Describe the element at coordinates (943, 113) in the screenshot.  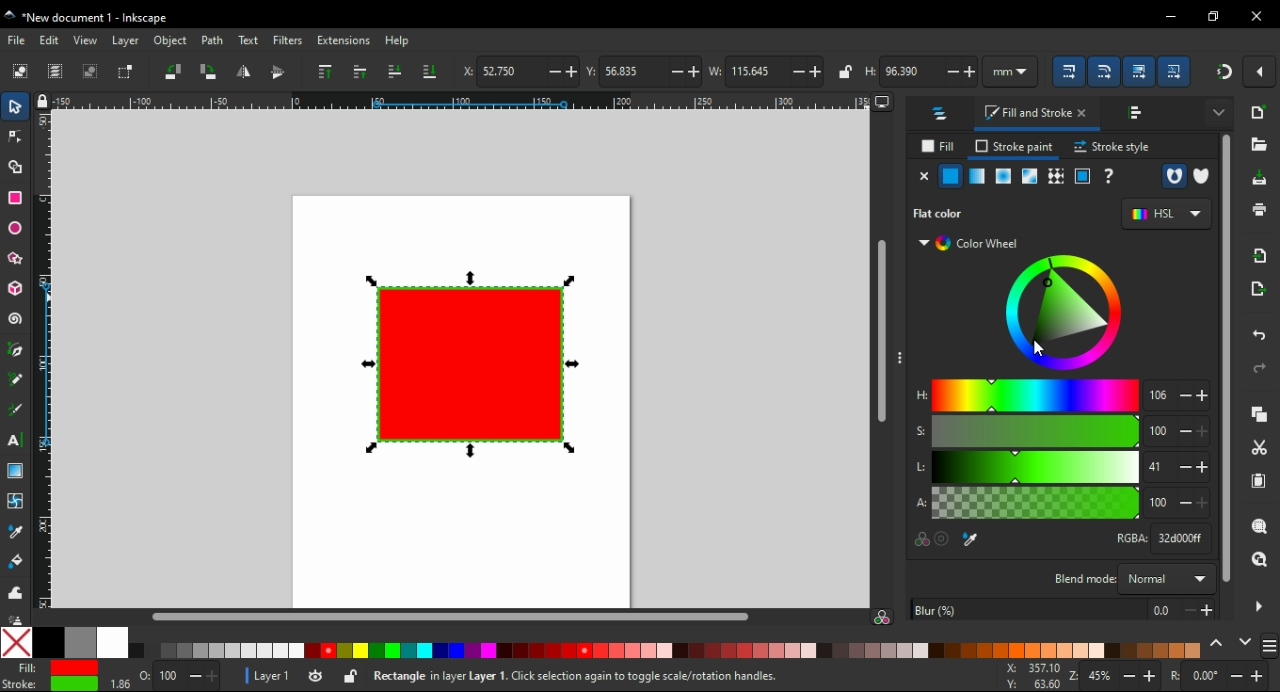
I see `layers and objects` at that location.